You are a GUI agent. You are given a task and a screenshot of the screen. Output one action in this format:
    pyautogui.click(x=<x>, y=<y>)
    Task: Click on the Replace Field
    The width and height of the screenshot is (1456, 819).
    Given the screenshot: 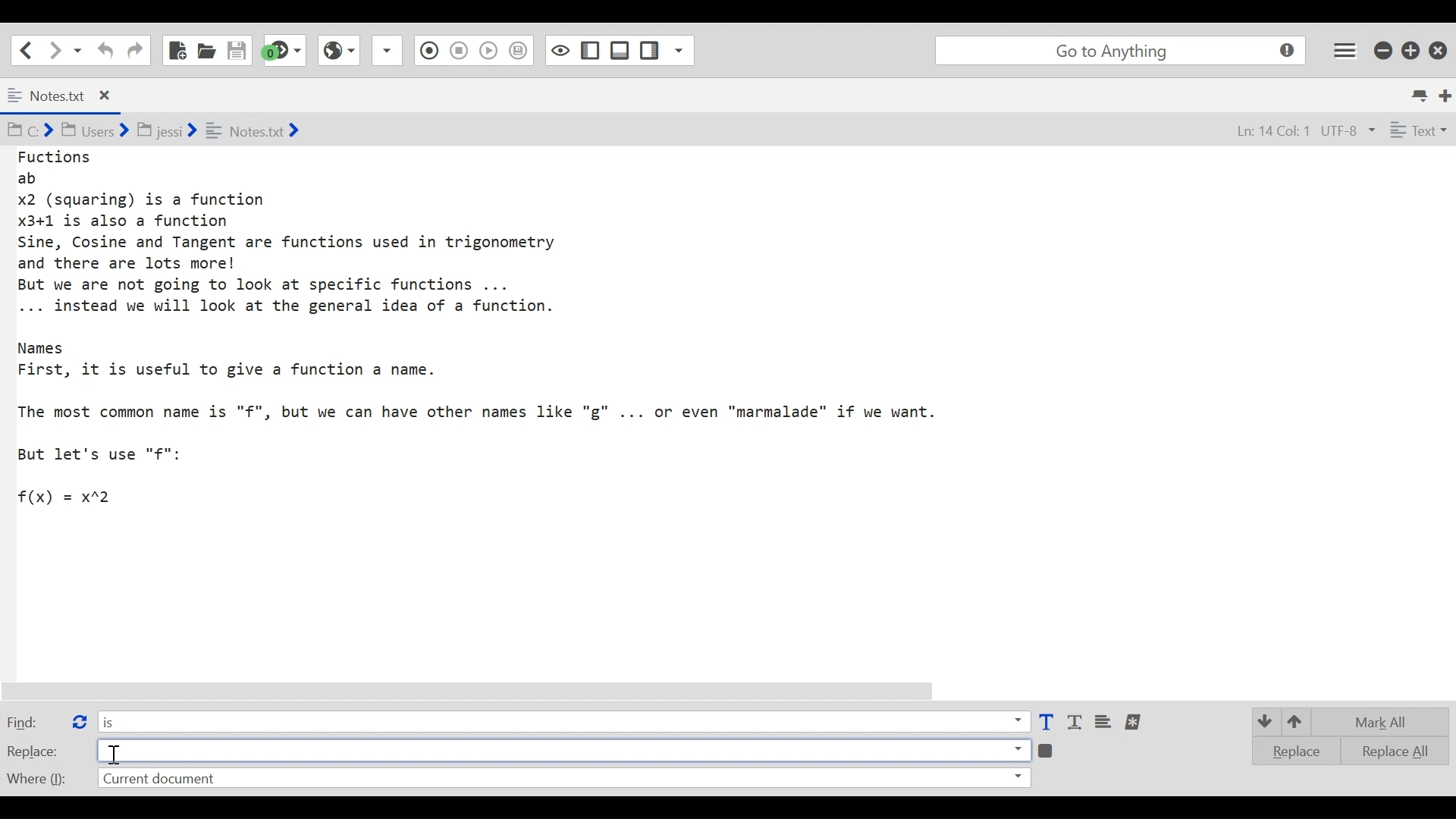 What is the action you would take?
    pyautogui.click(x=563, y=749)
    